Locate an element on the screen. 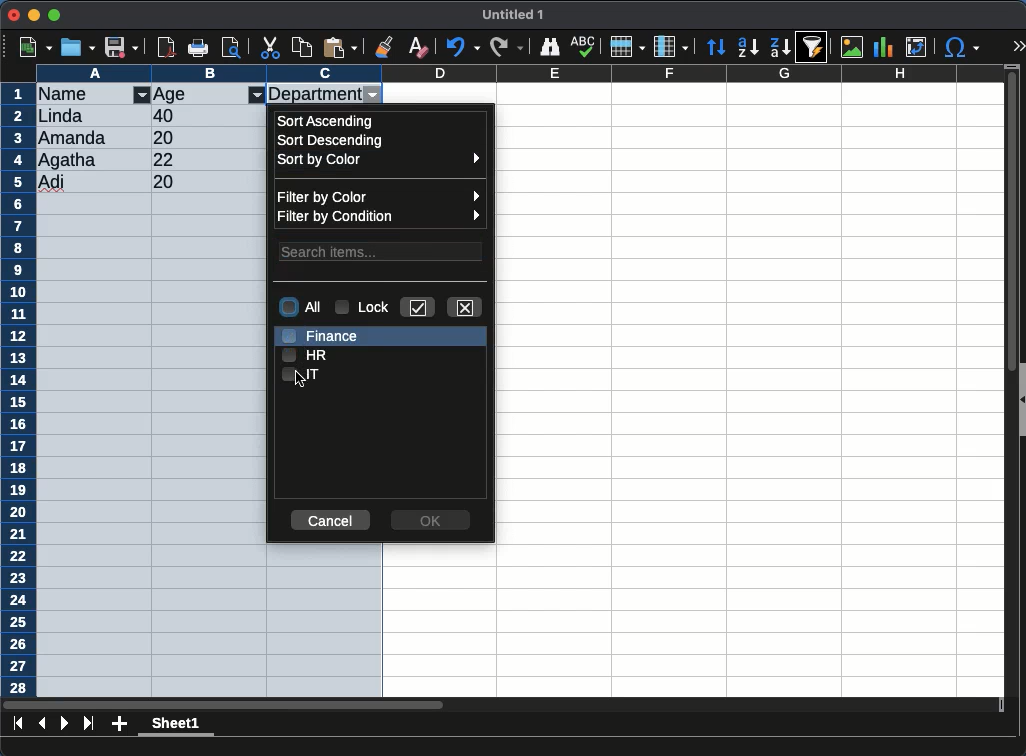 The image size is (1026, 756). expand is located at coordinates (1018, 48).